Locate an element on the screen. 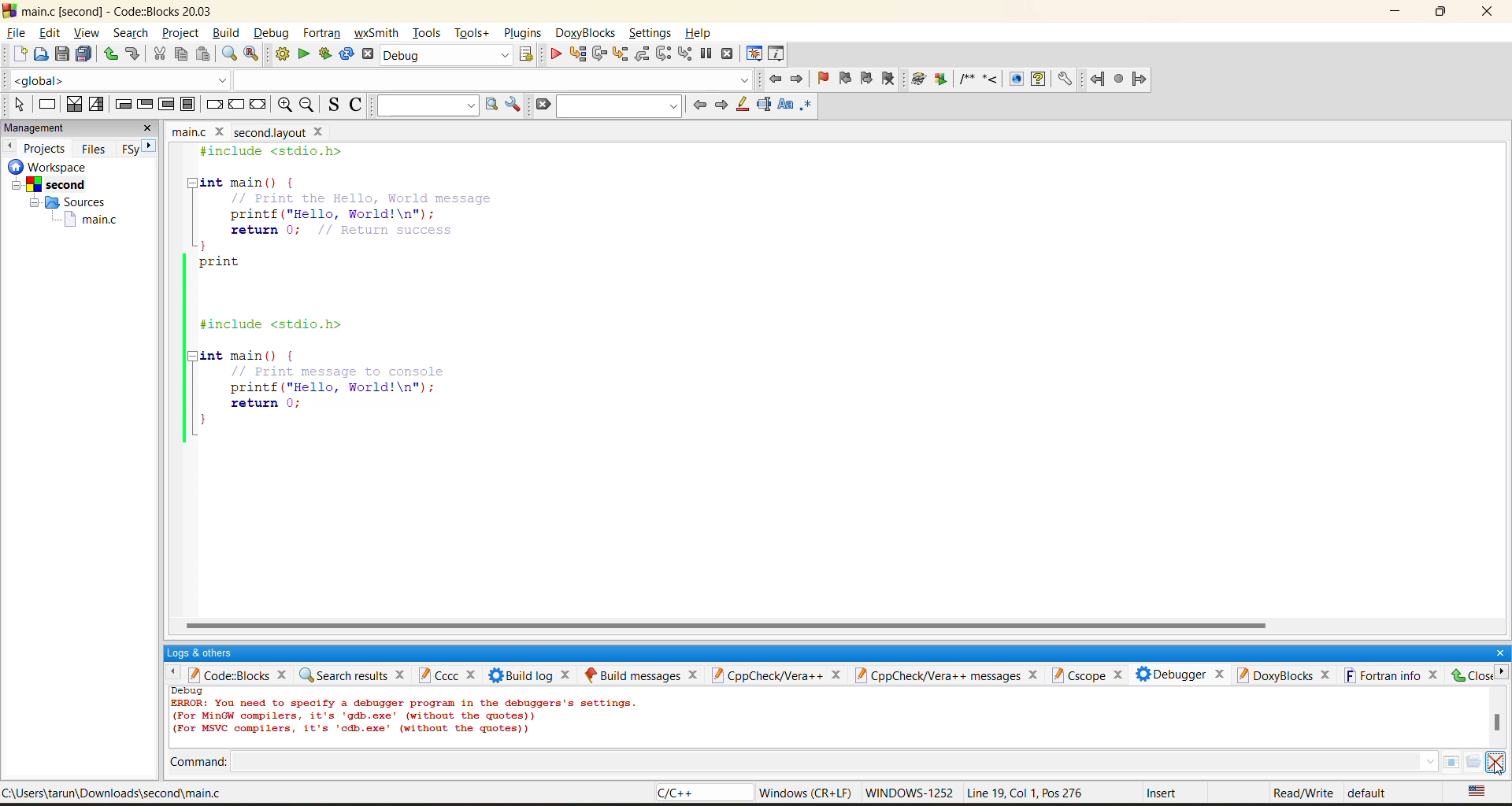  code completion compiler is located at coordinates (375, 81).